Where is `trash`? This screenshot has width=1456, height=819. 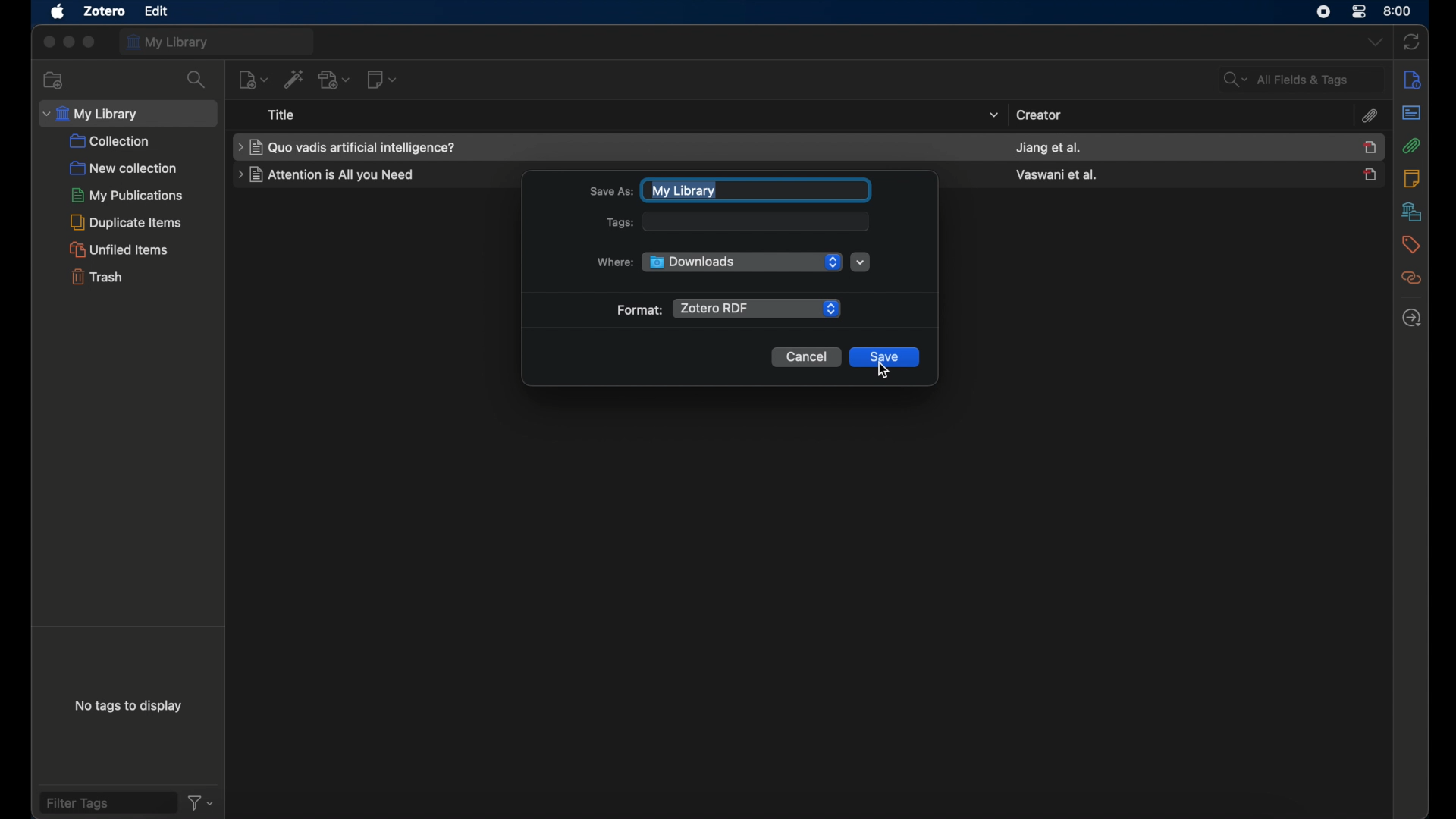 trash is located at coordinates (96, 276).